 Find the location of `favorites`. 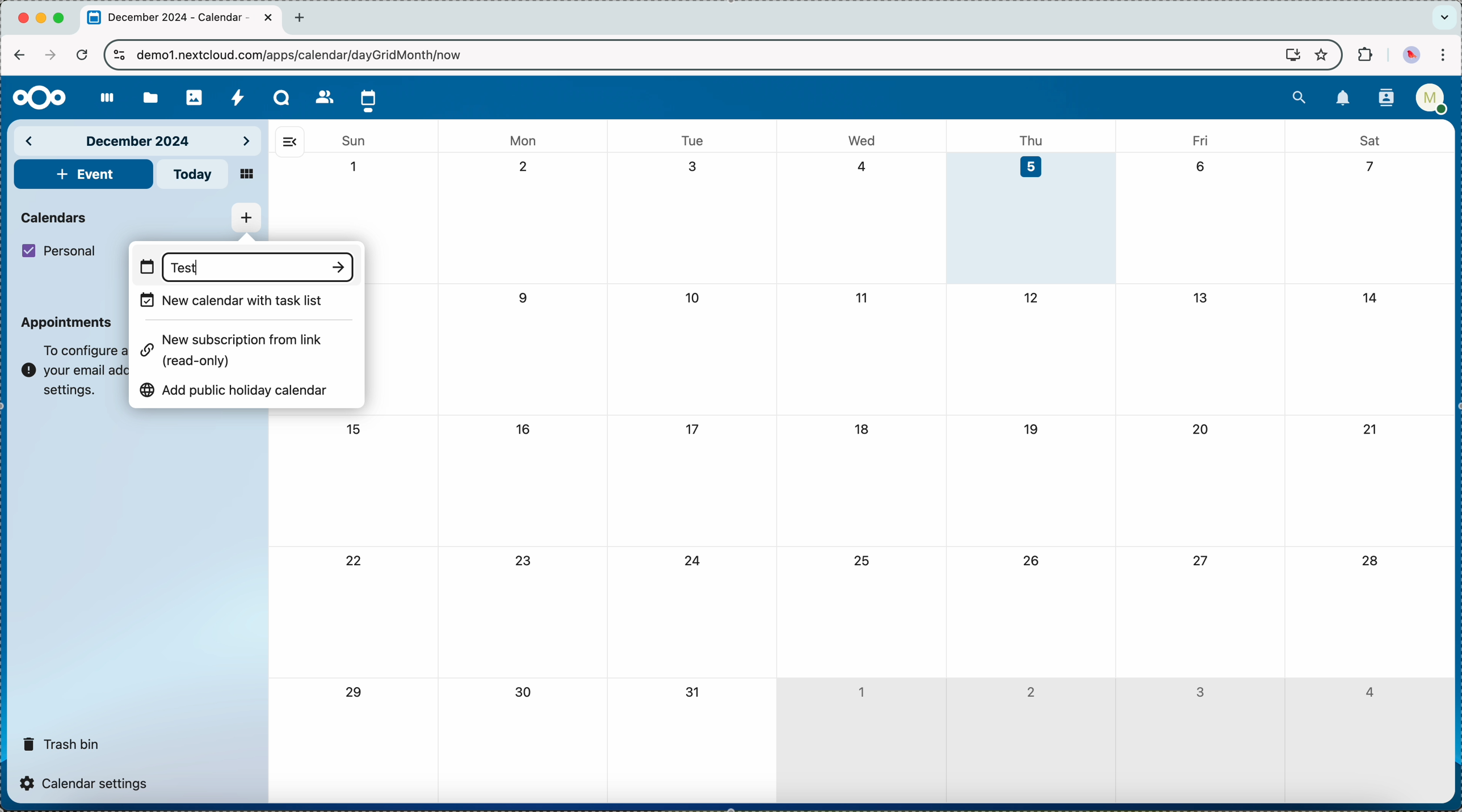

favorites is located at coordinates (1320, 54).